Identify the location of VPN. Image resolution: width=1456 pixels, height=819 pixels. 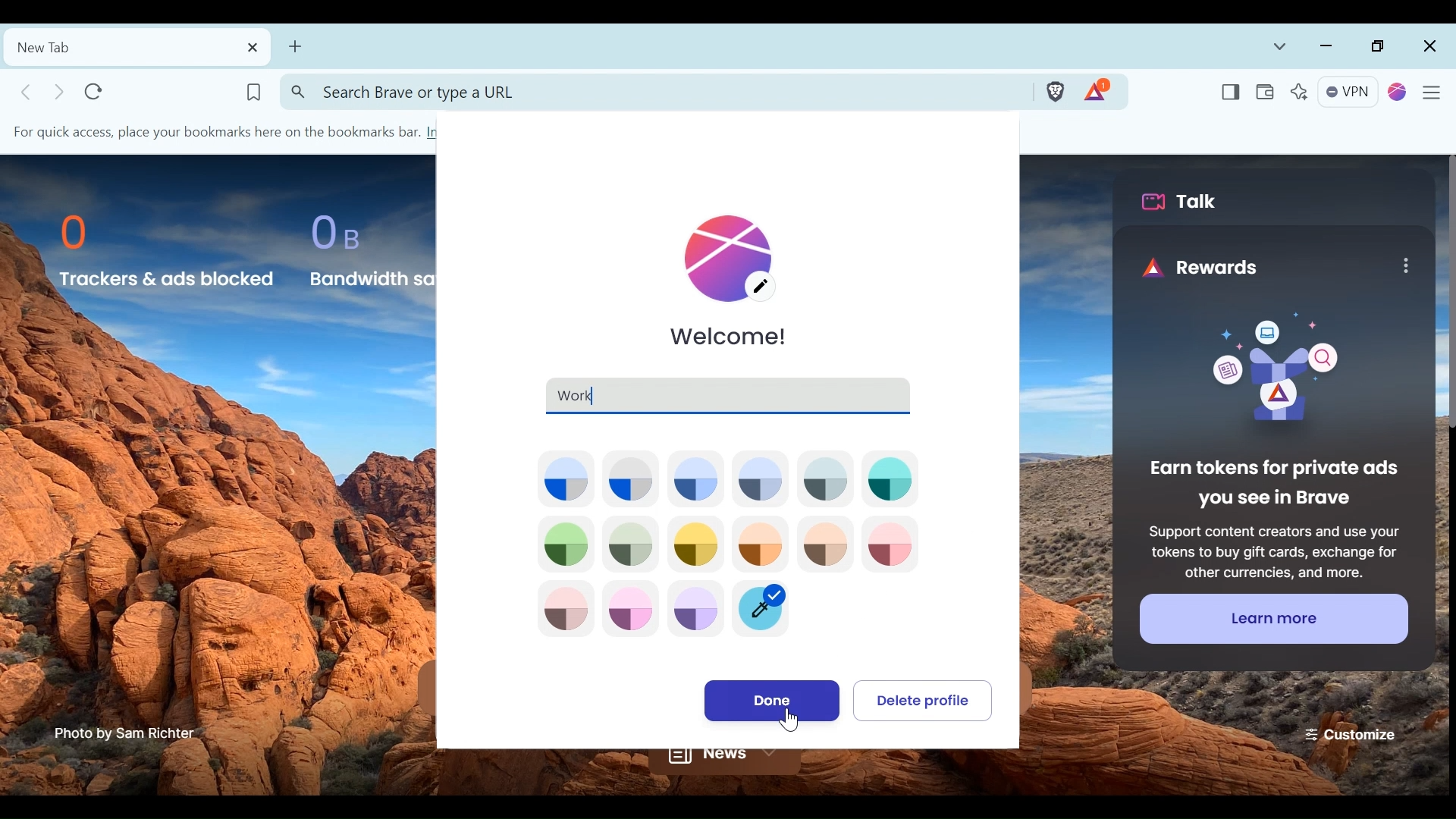
(1349, 93).